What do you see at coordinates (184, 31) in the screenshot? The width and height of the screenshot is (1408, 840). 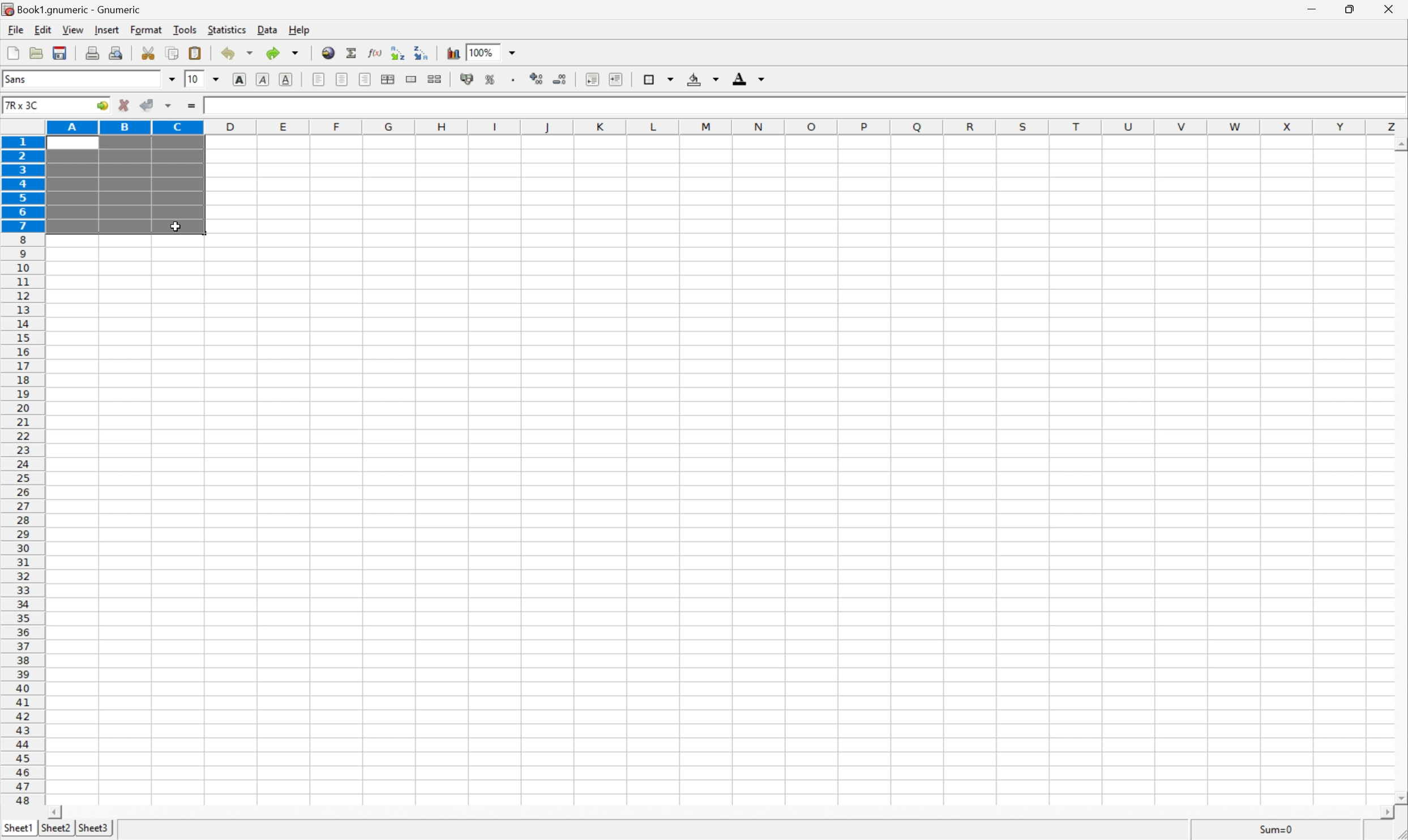 I see `tools` at bounding box center [184, 31].